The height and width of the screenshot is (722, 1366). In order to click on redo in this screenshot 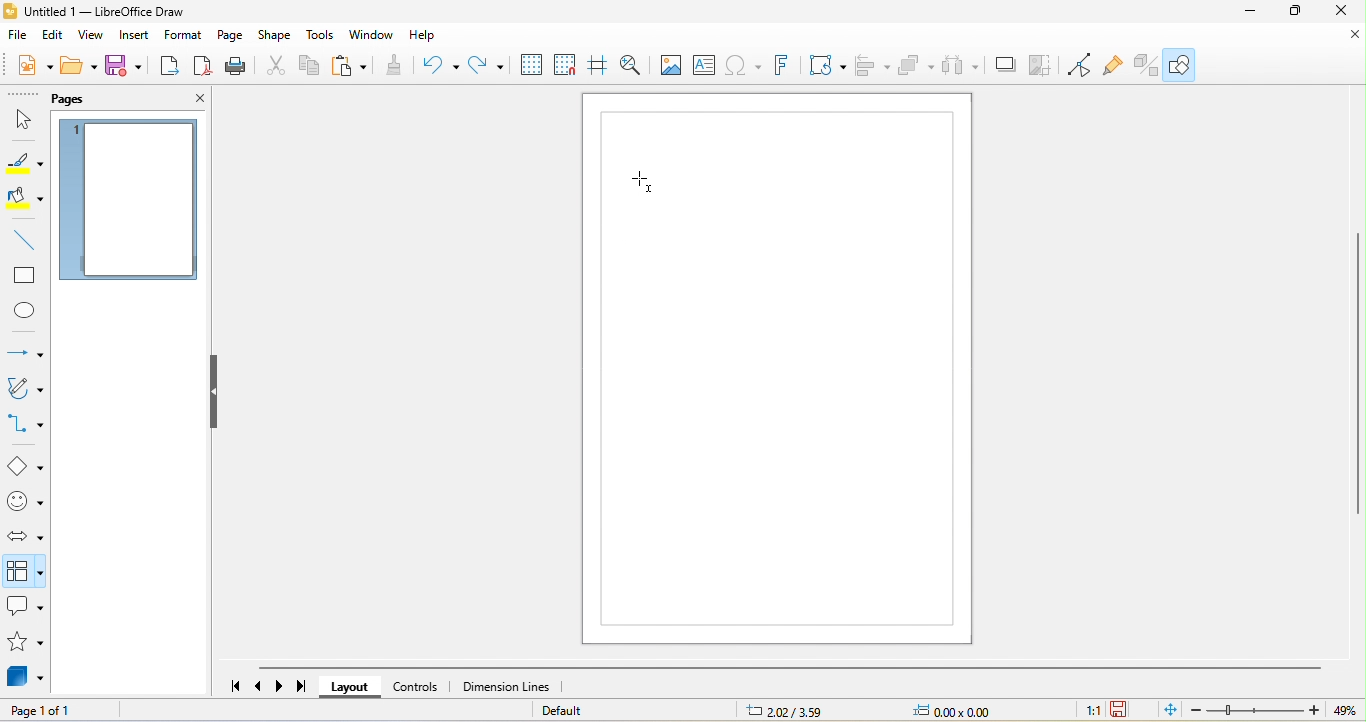, I will do `click(488, 67)`.